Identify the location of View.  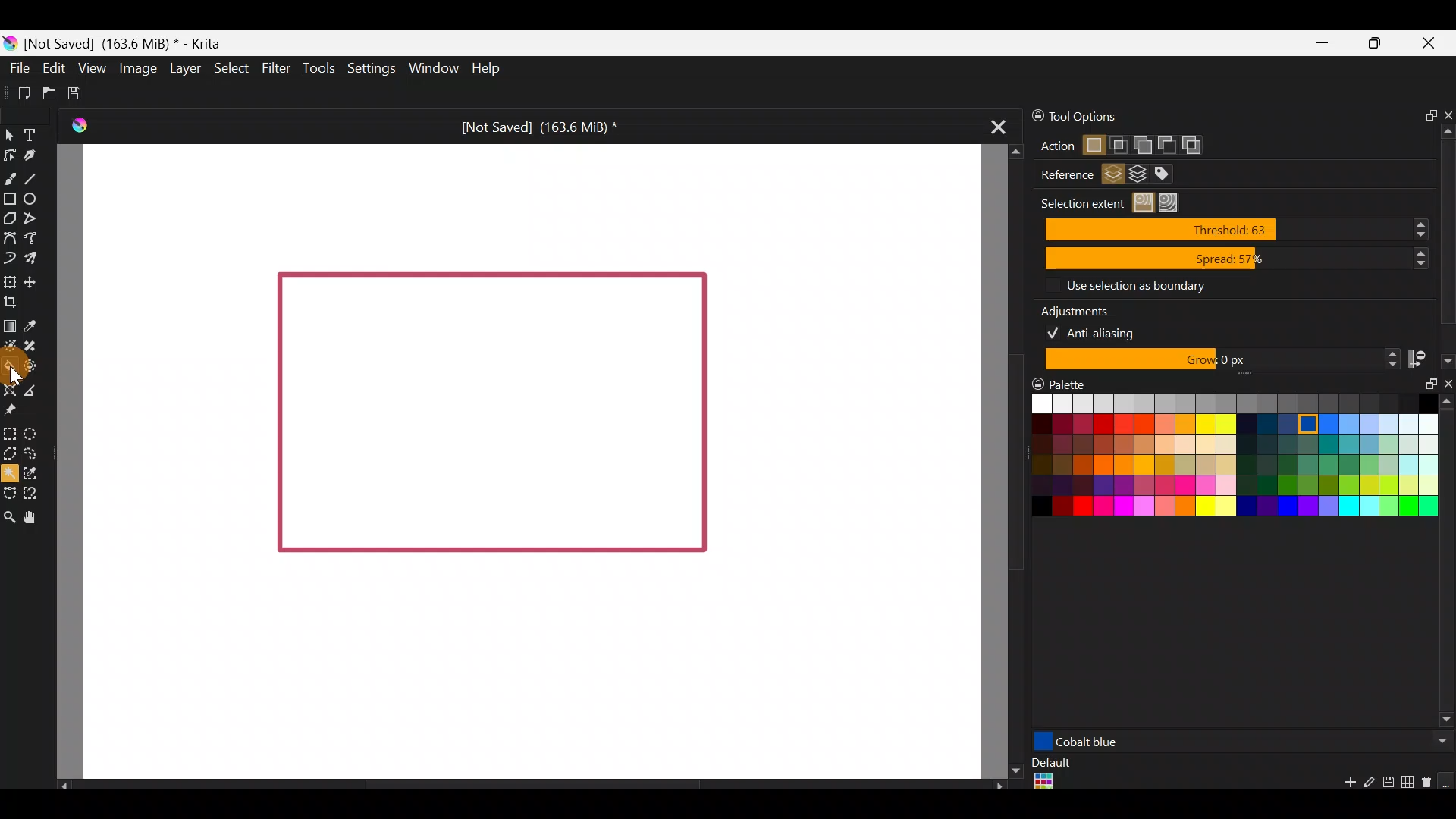
(91, 66).